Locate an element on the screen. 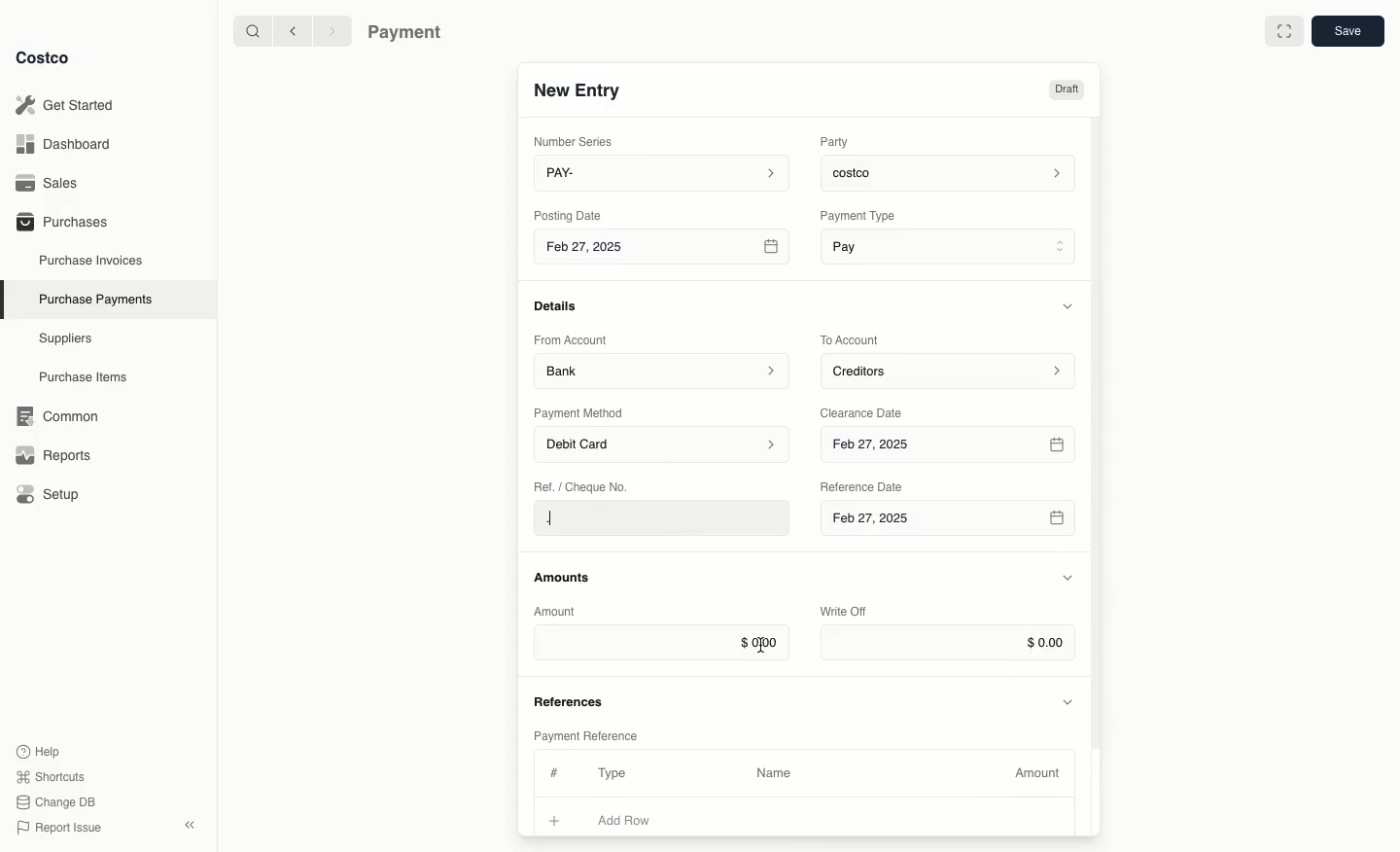  Purchase Invoices is located at coordinates (92, 260).